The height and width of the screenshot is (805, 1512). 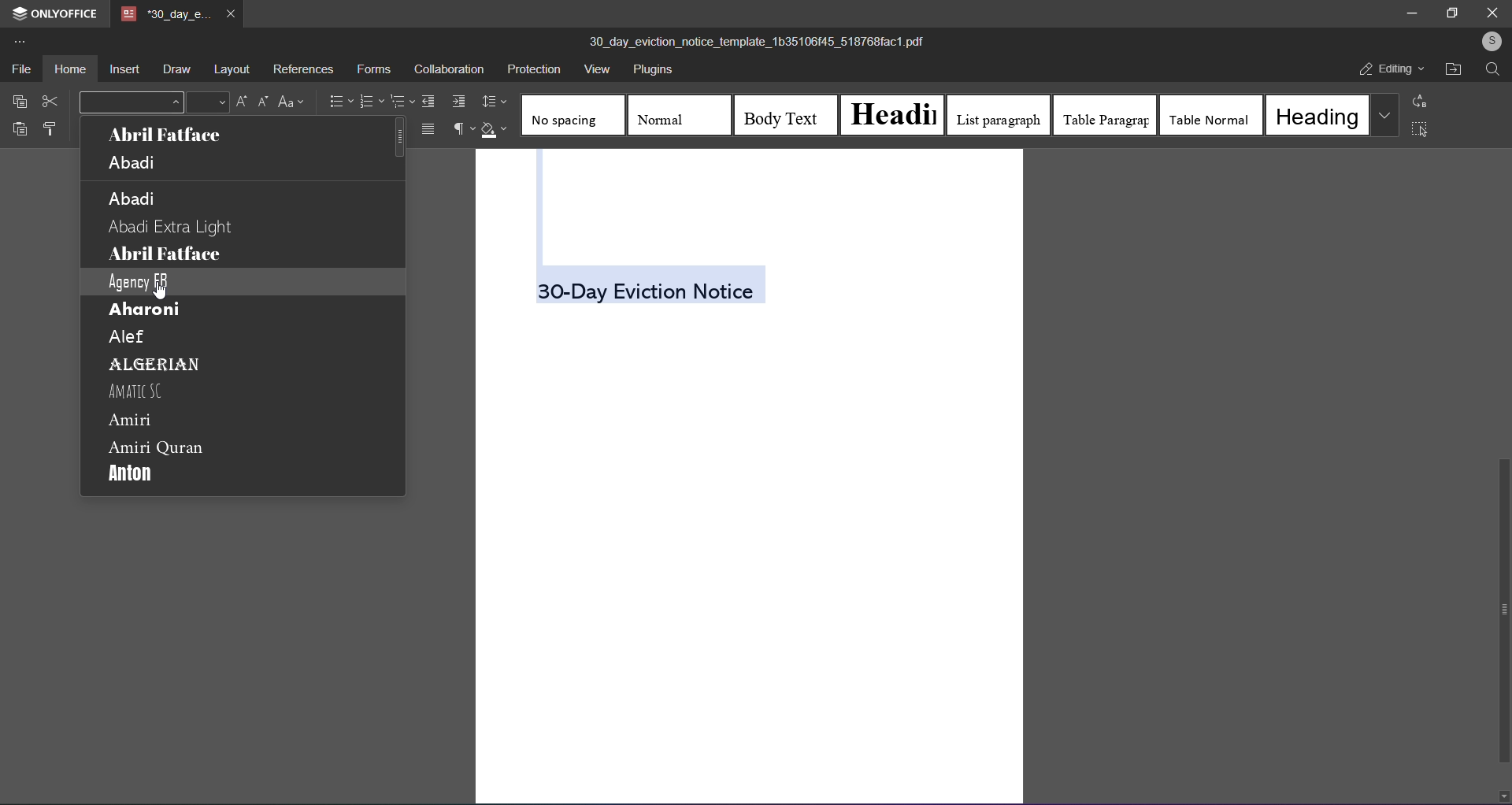 I want to click on view, so click(x=595, y=71).